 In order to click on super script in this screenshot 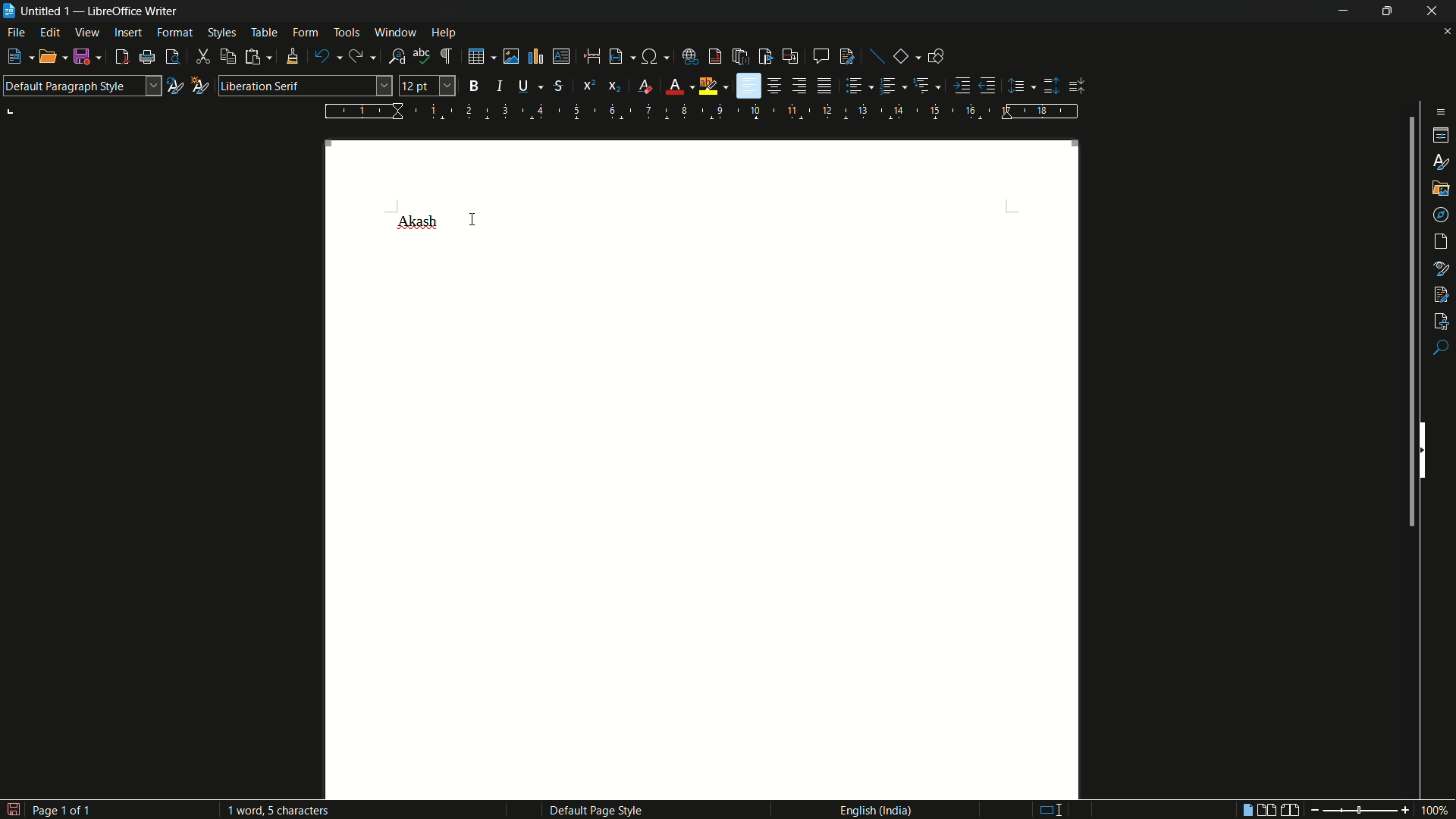, I will do `click(588, 84)`.